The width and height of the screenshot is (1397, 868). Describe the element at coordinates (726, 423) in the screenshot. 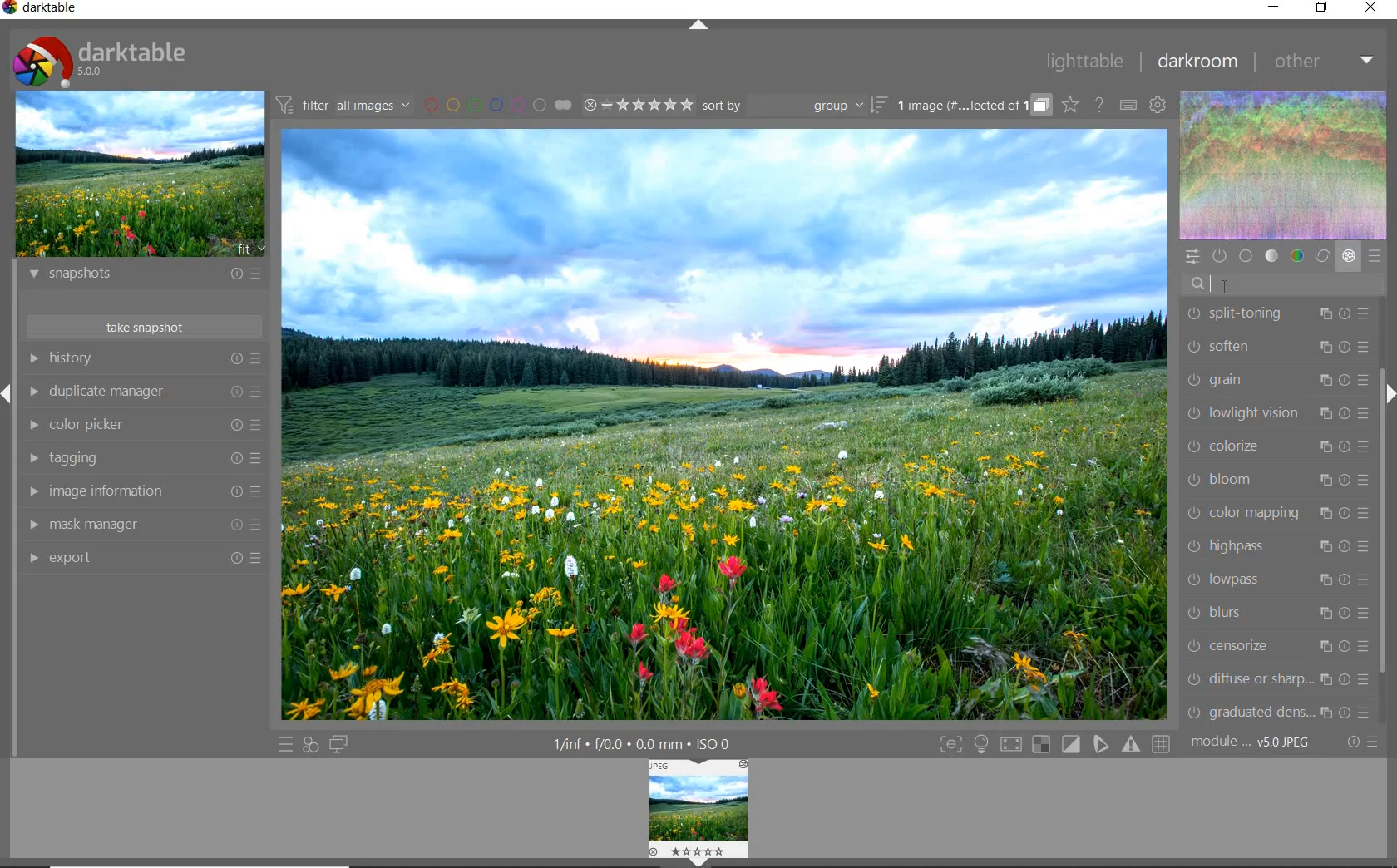

I see `selected image` at that location.